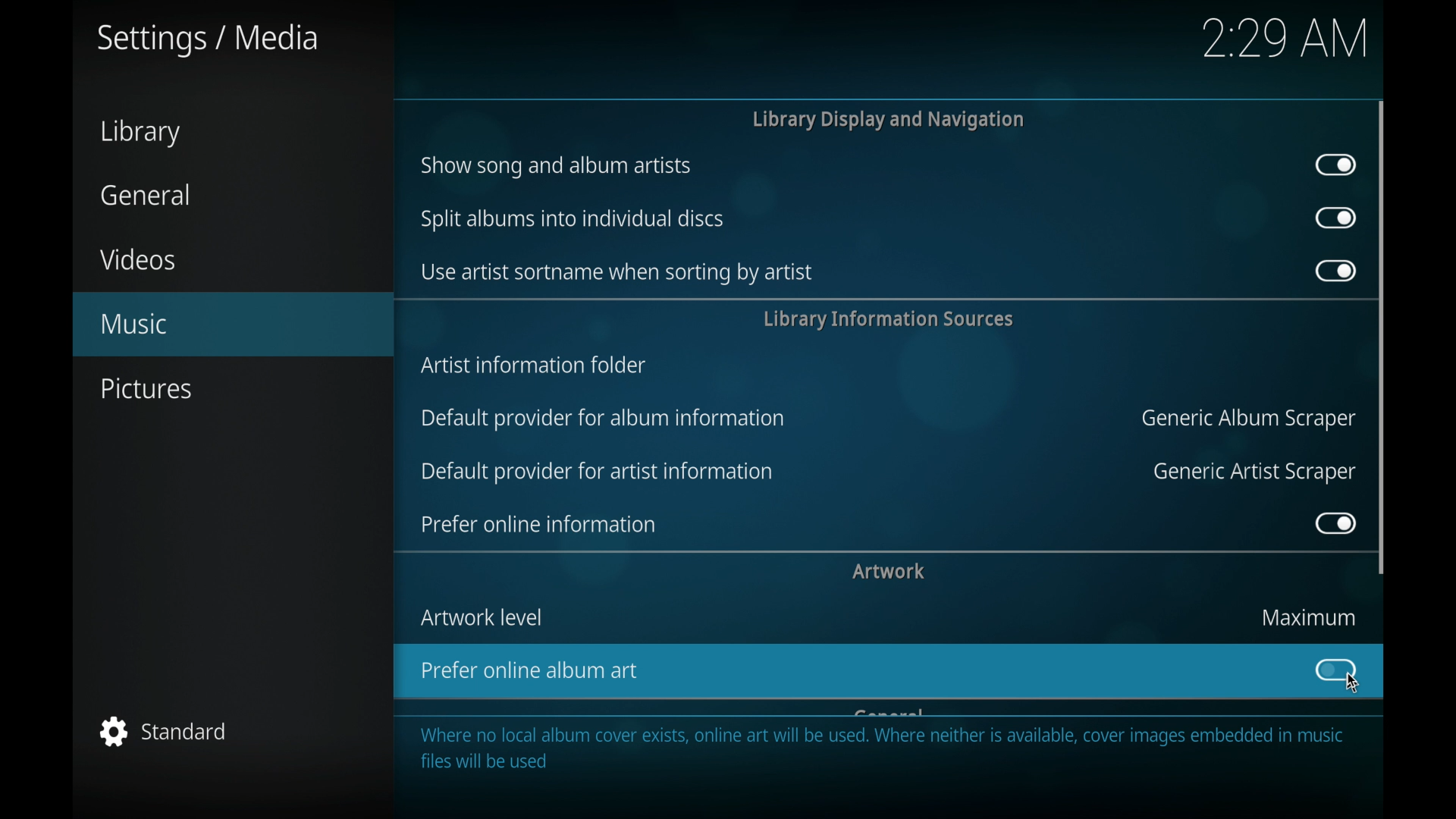 The width and height of the screenshot is (1456, 819). What do you see at coordinates (569, 221) in the screenshot?
I see `split items into individual discs` at bounding box center [569, 221].